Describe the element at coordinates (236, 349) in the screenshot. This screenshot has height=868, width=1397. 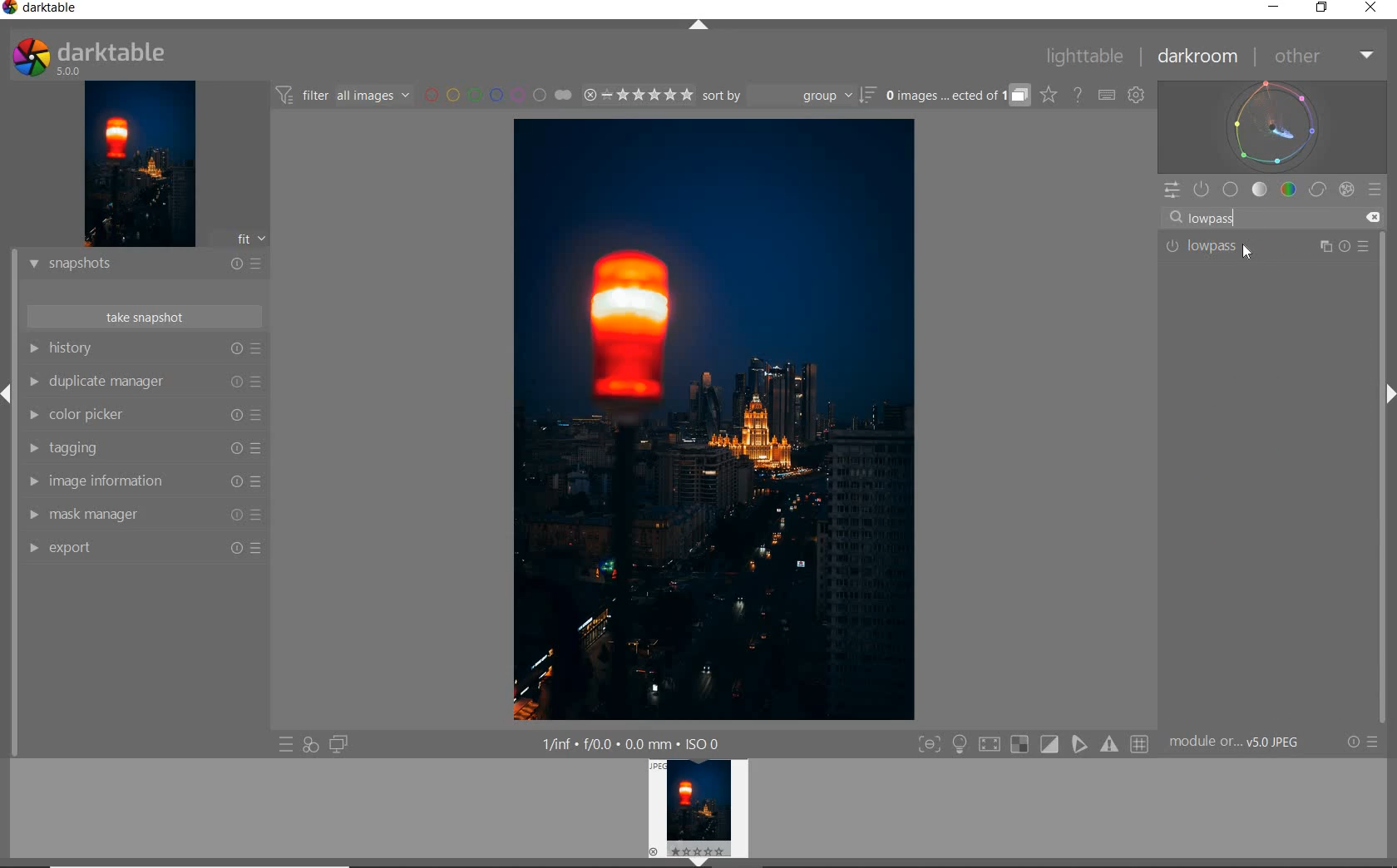
I see `reset` at that location.